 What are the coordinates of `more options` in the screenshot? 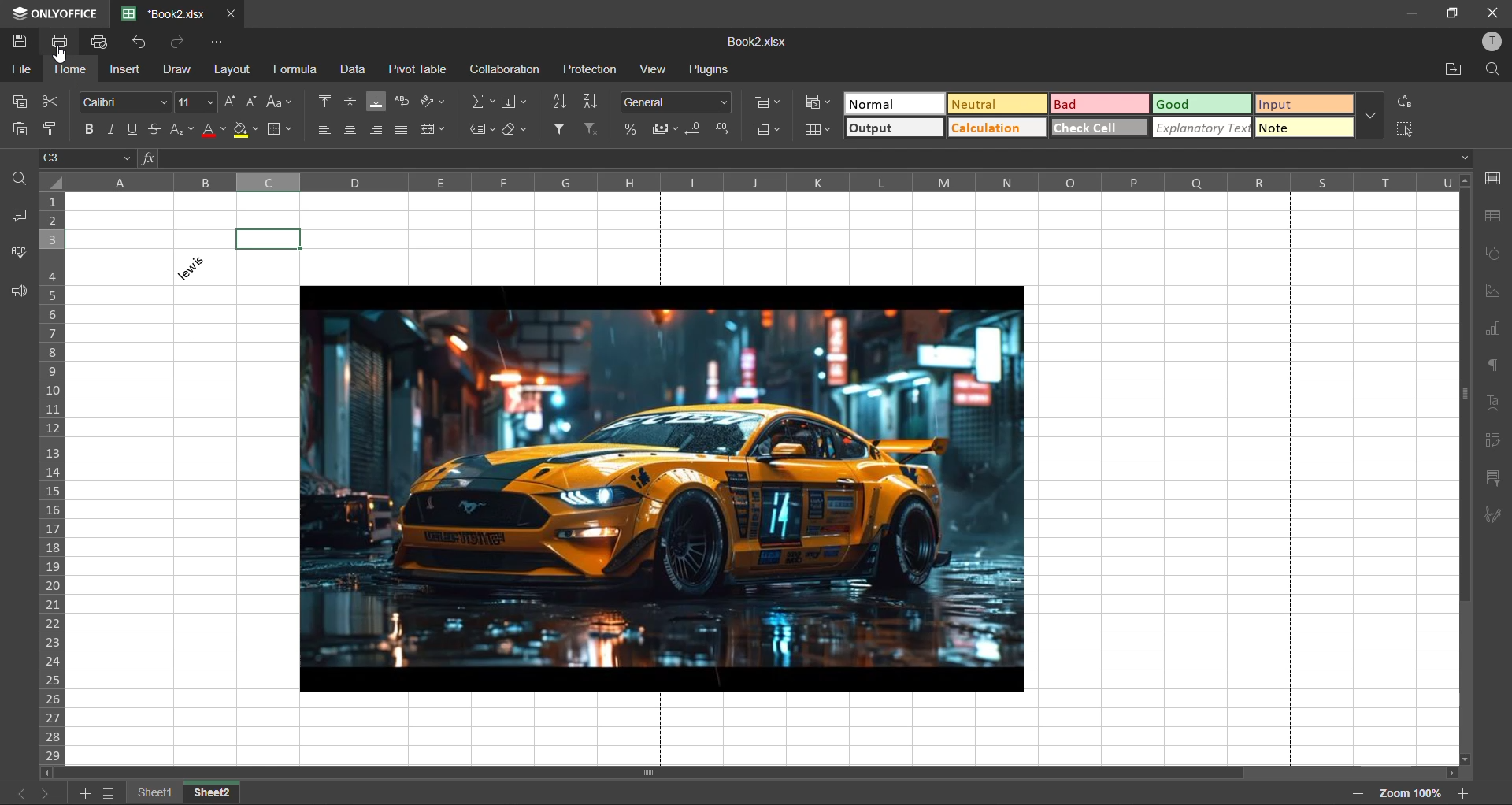 It's located at (1370, 117).